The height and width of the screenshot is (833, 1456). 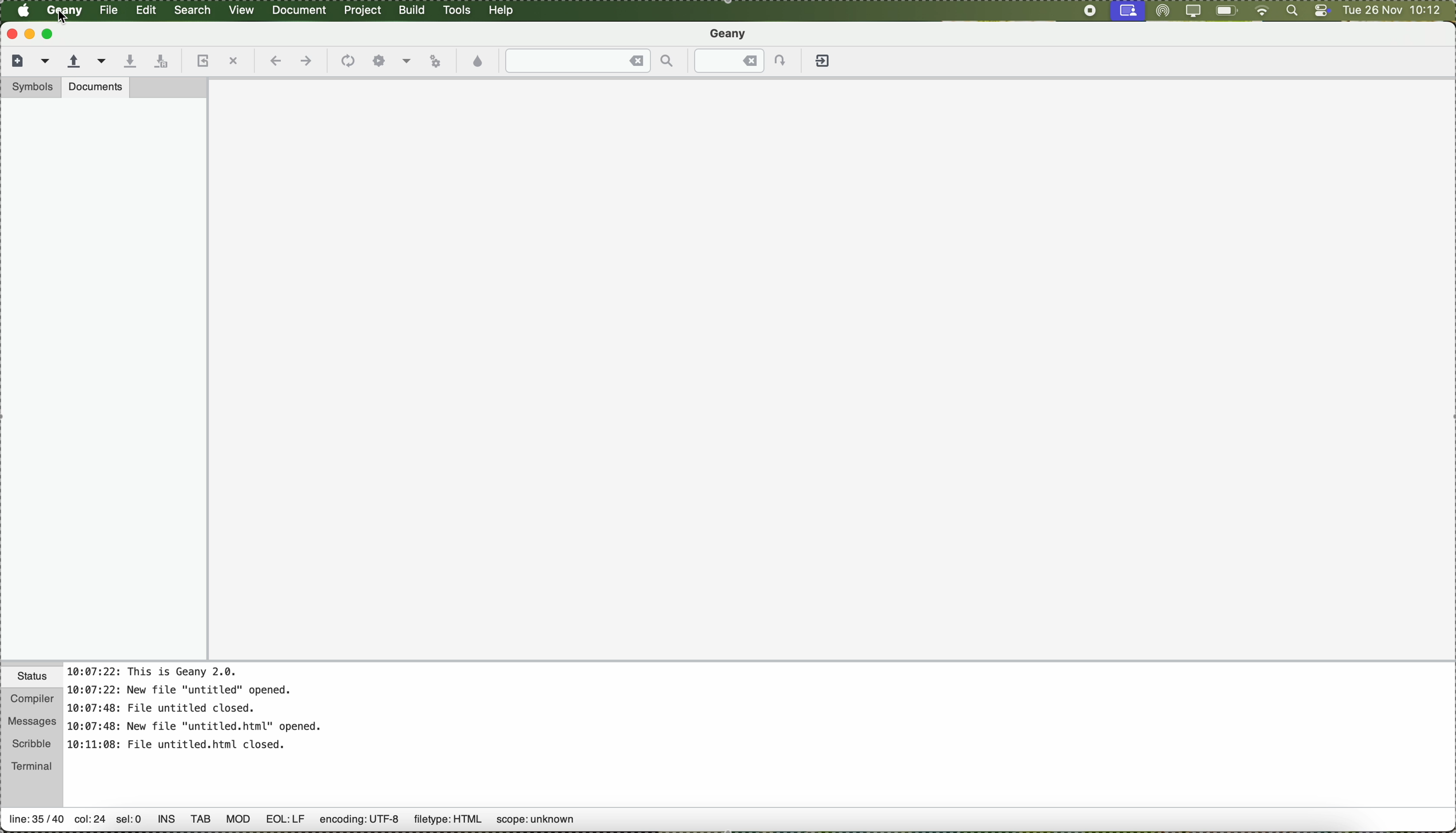 What do you see at coordinates (408, 61) in the screenshot?
I see `Choose more options` at bounding box center [408, 61].